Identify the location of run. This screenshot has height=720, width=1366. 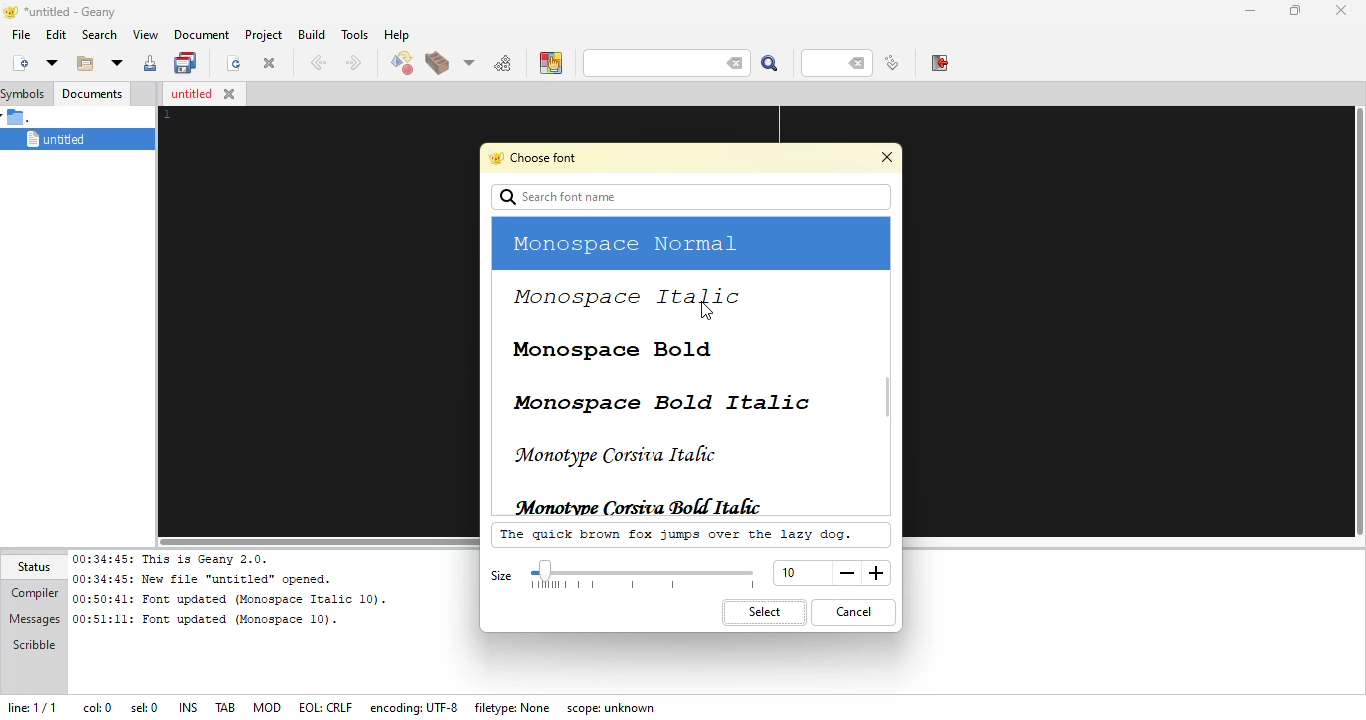
(503, 63).